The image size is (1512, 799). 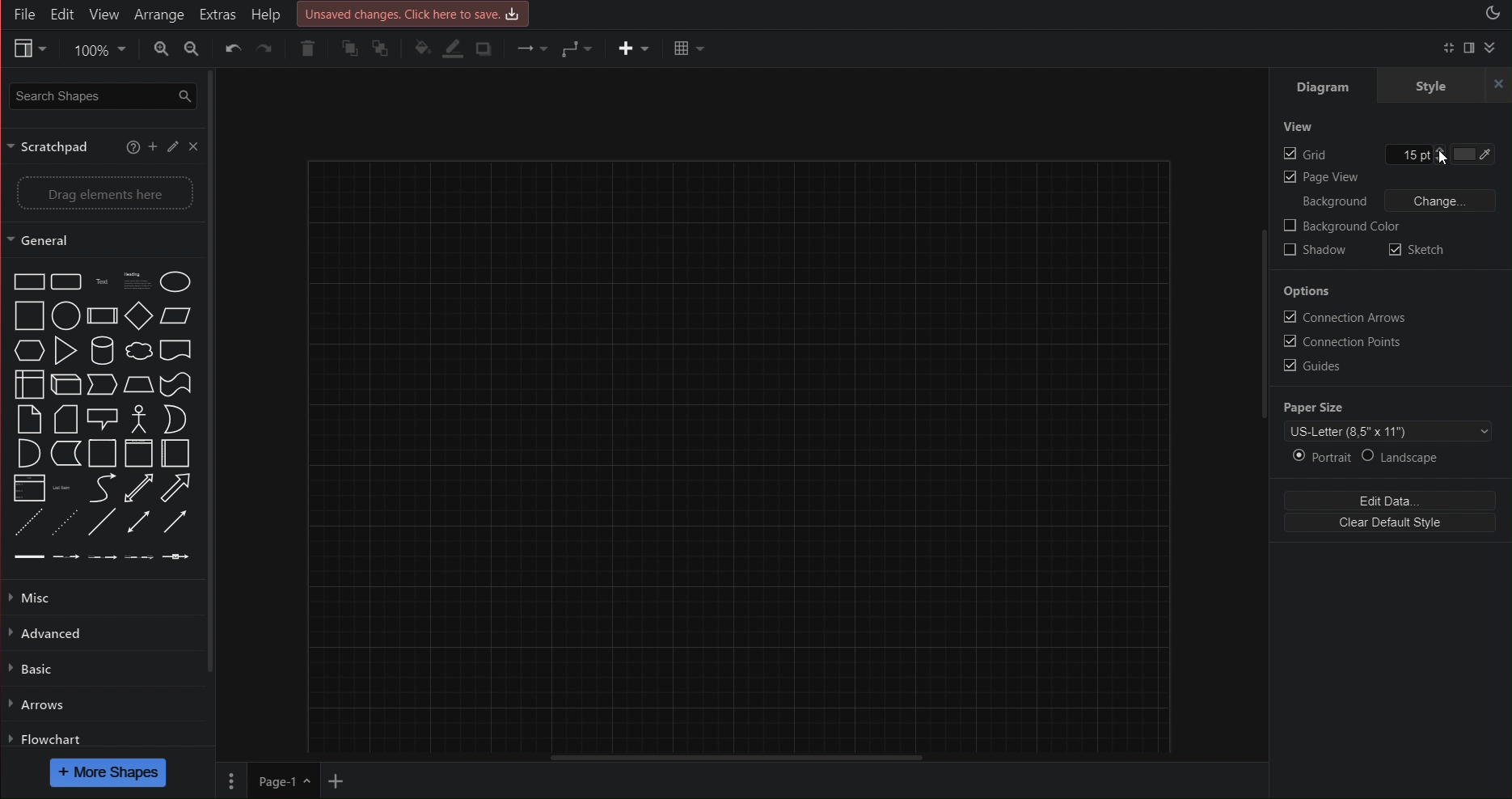 What do you see at coordinates (1320, 456) in the screenshot?
I see `Portrait` at bounding box center [1320, 456].